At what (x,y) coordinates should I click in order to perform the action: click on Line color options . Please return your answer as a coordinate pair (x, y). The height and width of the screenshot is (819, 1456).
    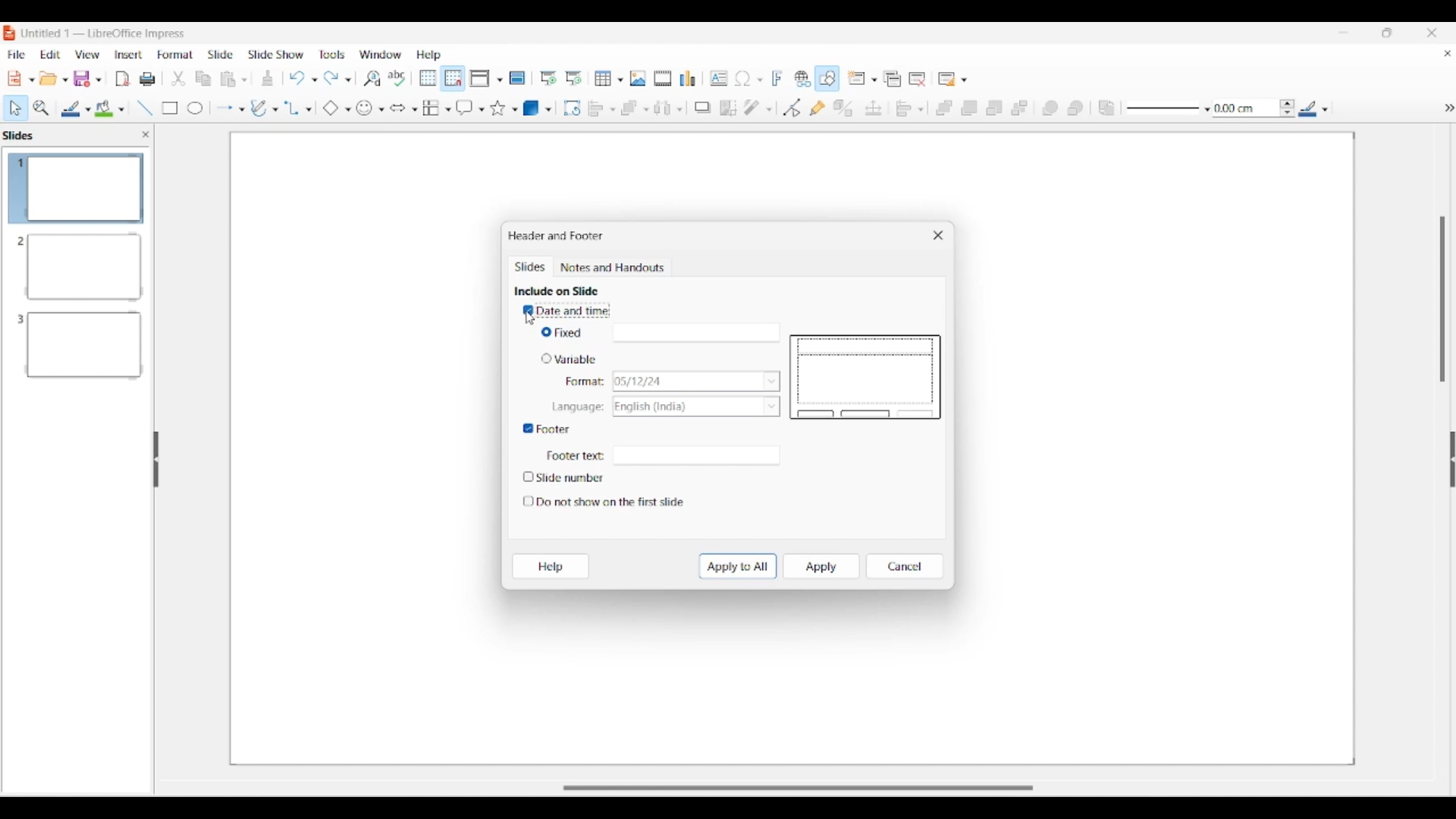
    Looking at the image, I should click on (76, 109).